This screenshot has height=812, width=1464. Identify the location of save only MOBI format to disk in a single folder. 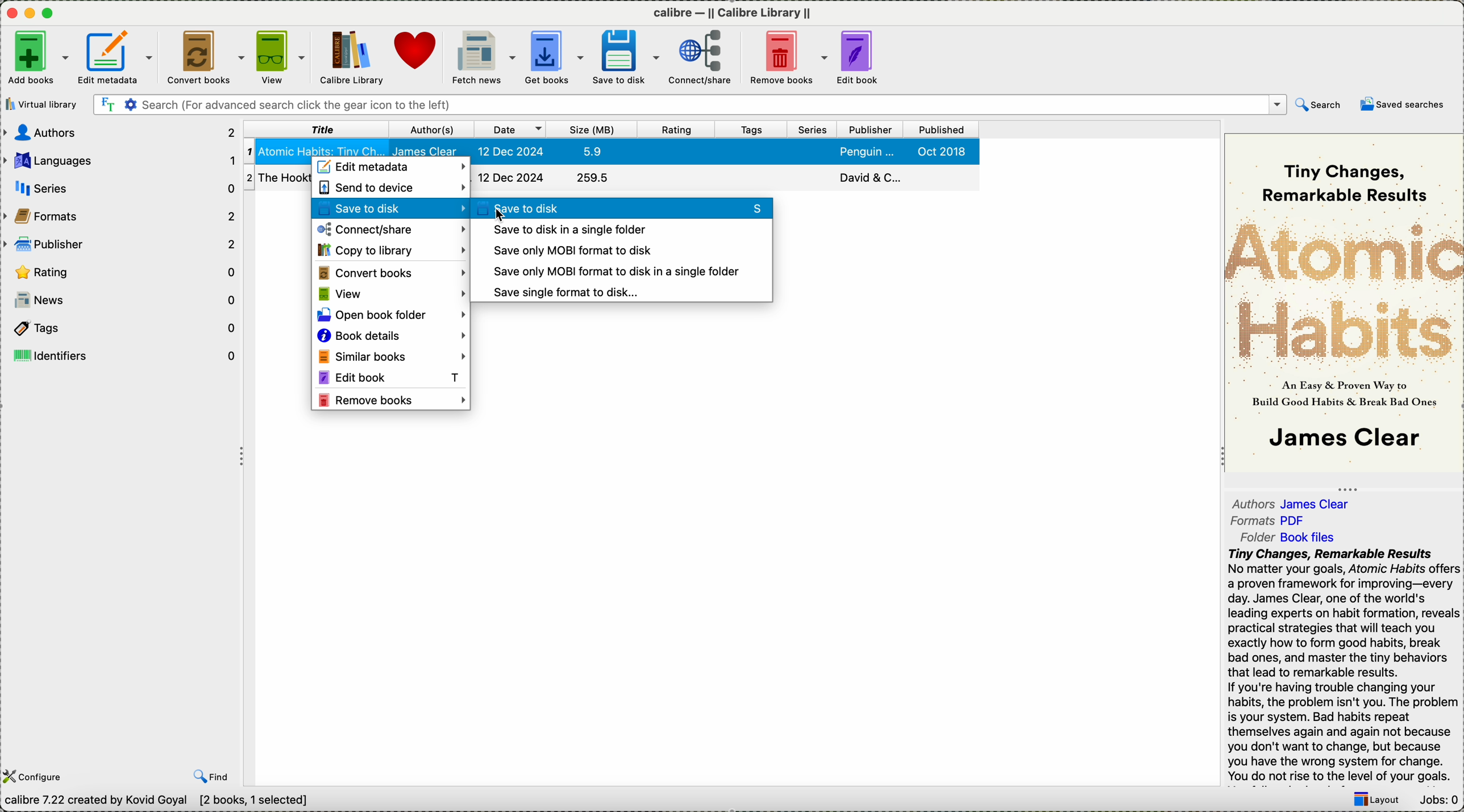
(615, 272).